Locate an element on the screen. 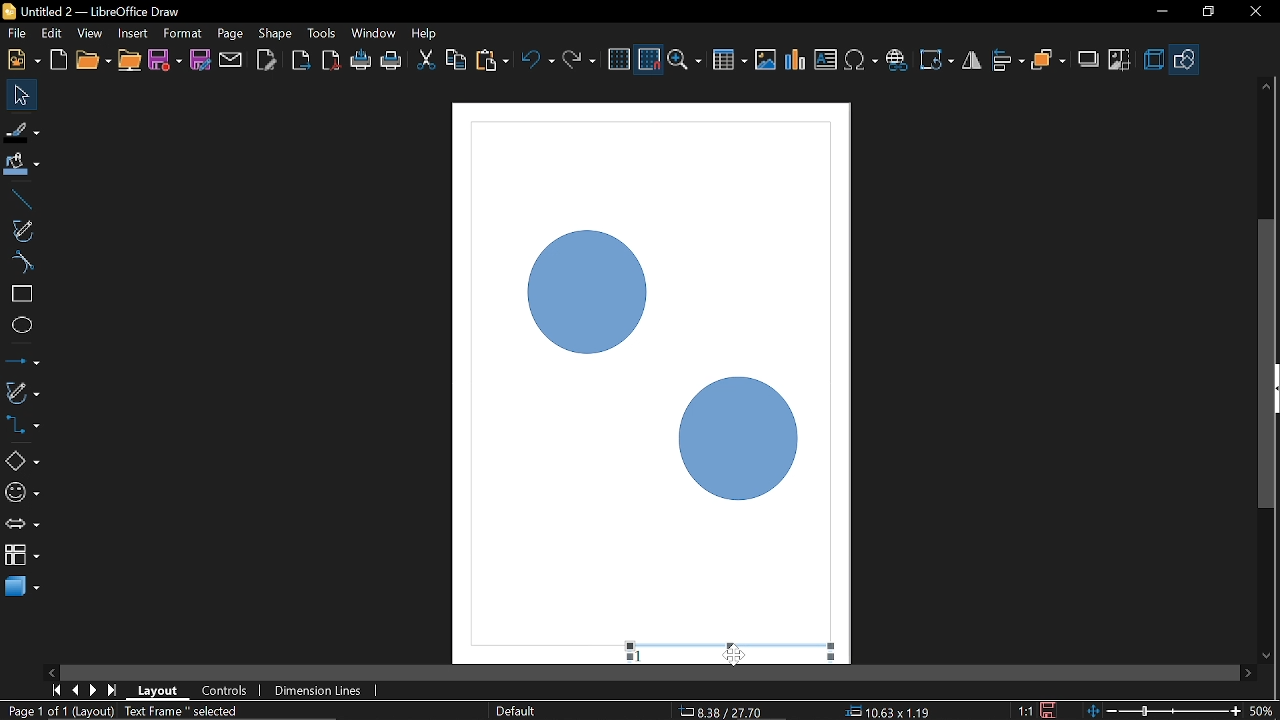 Image resolution: width=1280 pixels, height=720 pixels. Save is located at coordinates (166, 62).